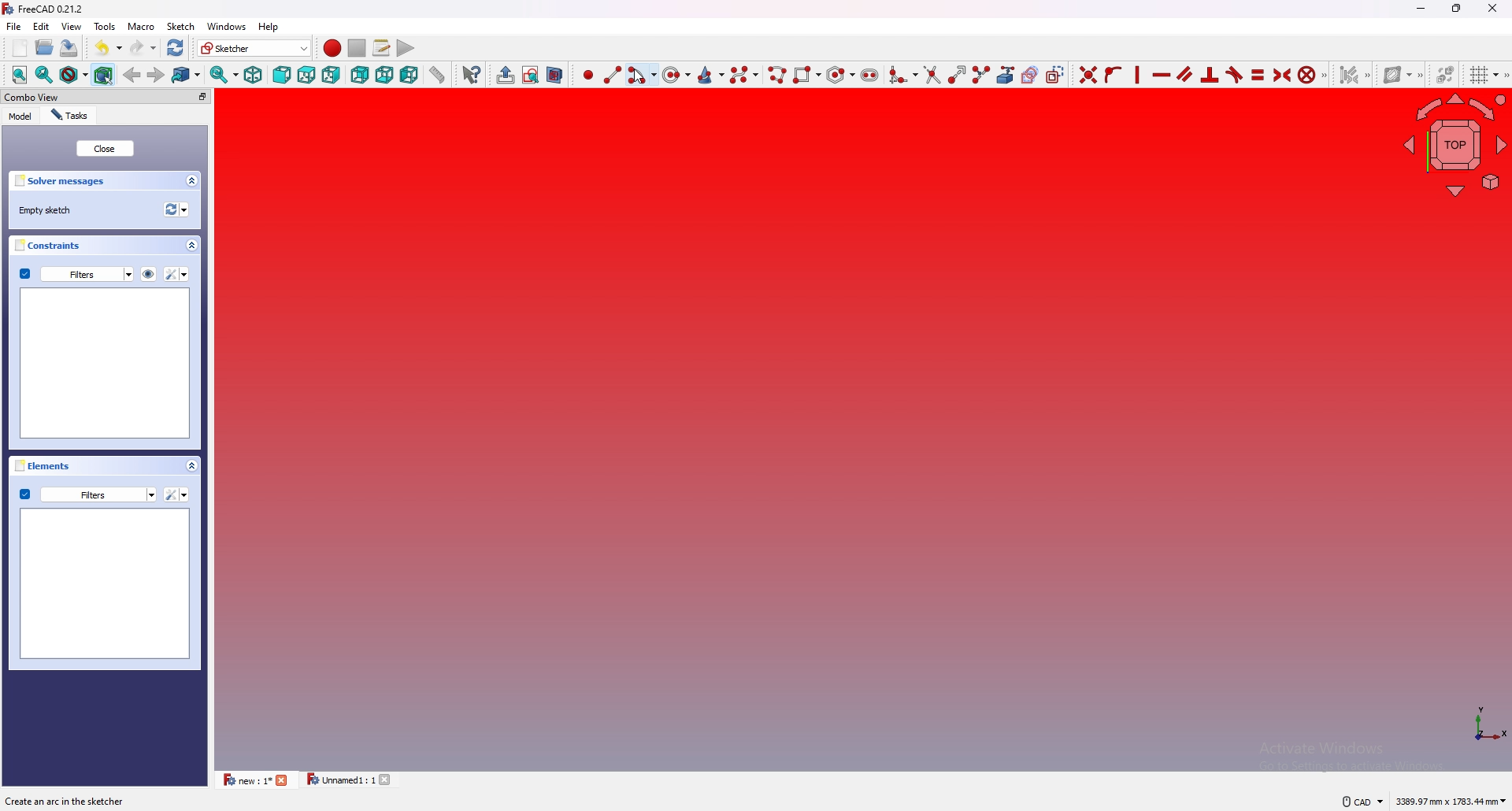 This screenshot has width=1512, height=811. What do you see at coordinates (1186, 75) in the screenshot?
I see `constraint parallel` at bounding box center [1186, 75].